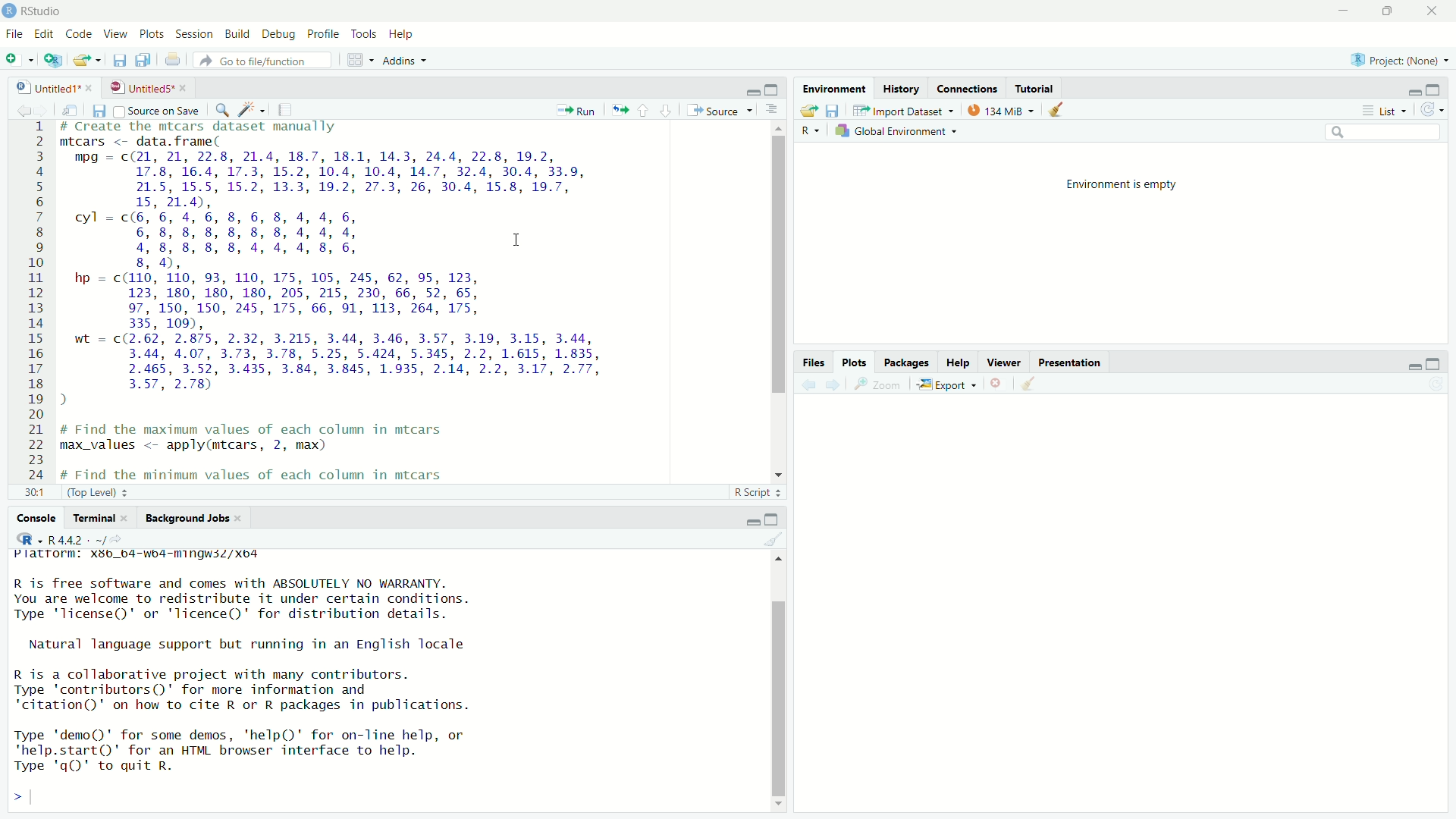  I want to click on Profile, so click(322, 33).